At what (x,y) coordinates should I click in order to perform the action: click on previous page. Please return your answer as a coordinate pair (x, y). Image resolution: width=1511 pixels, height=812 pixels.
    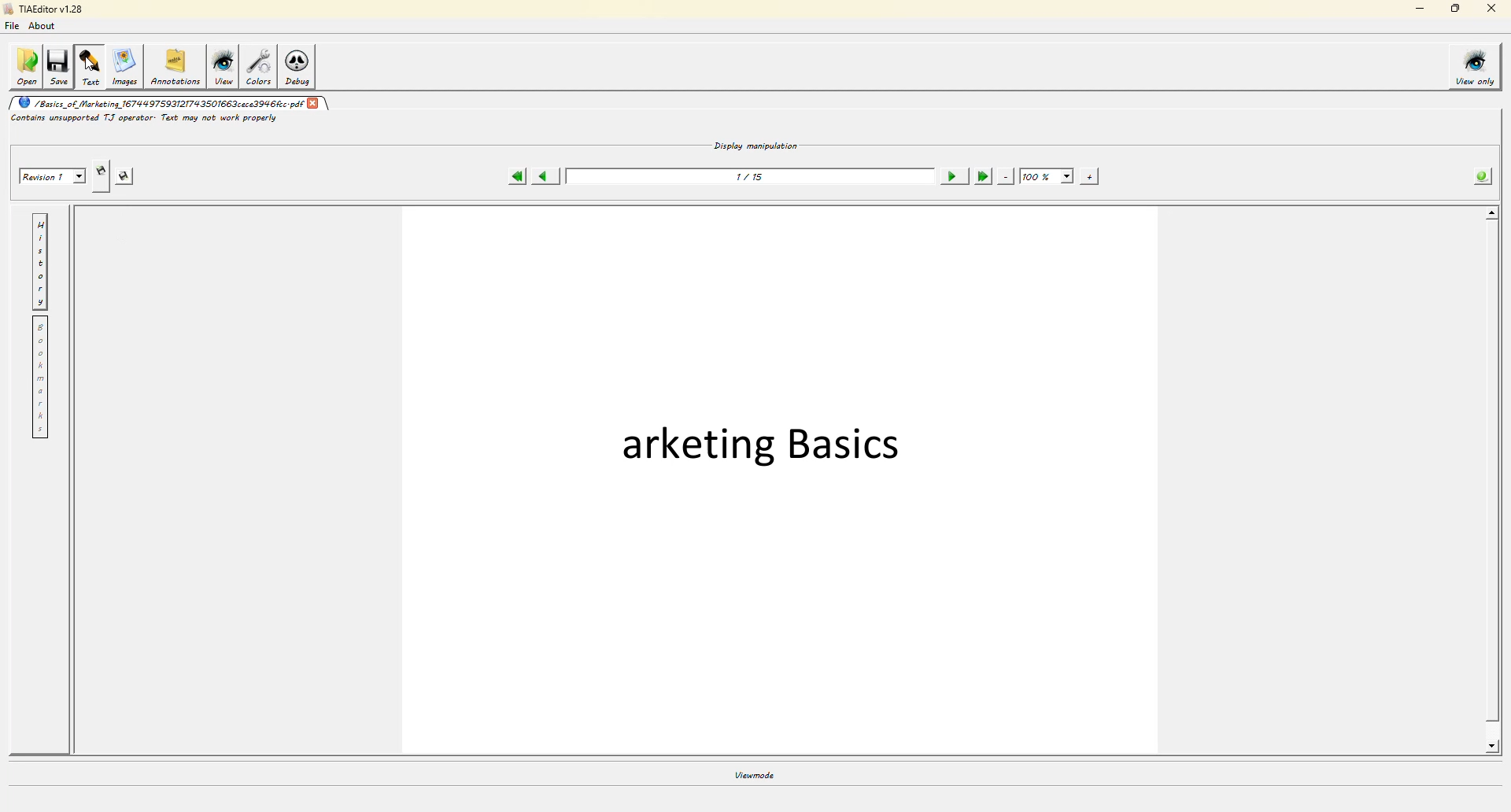
    Looking at the image, I should click on (548, 176).